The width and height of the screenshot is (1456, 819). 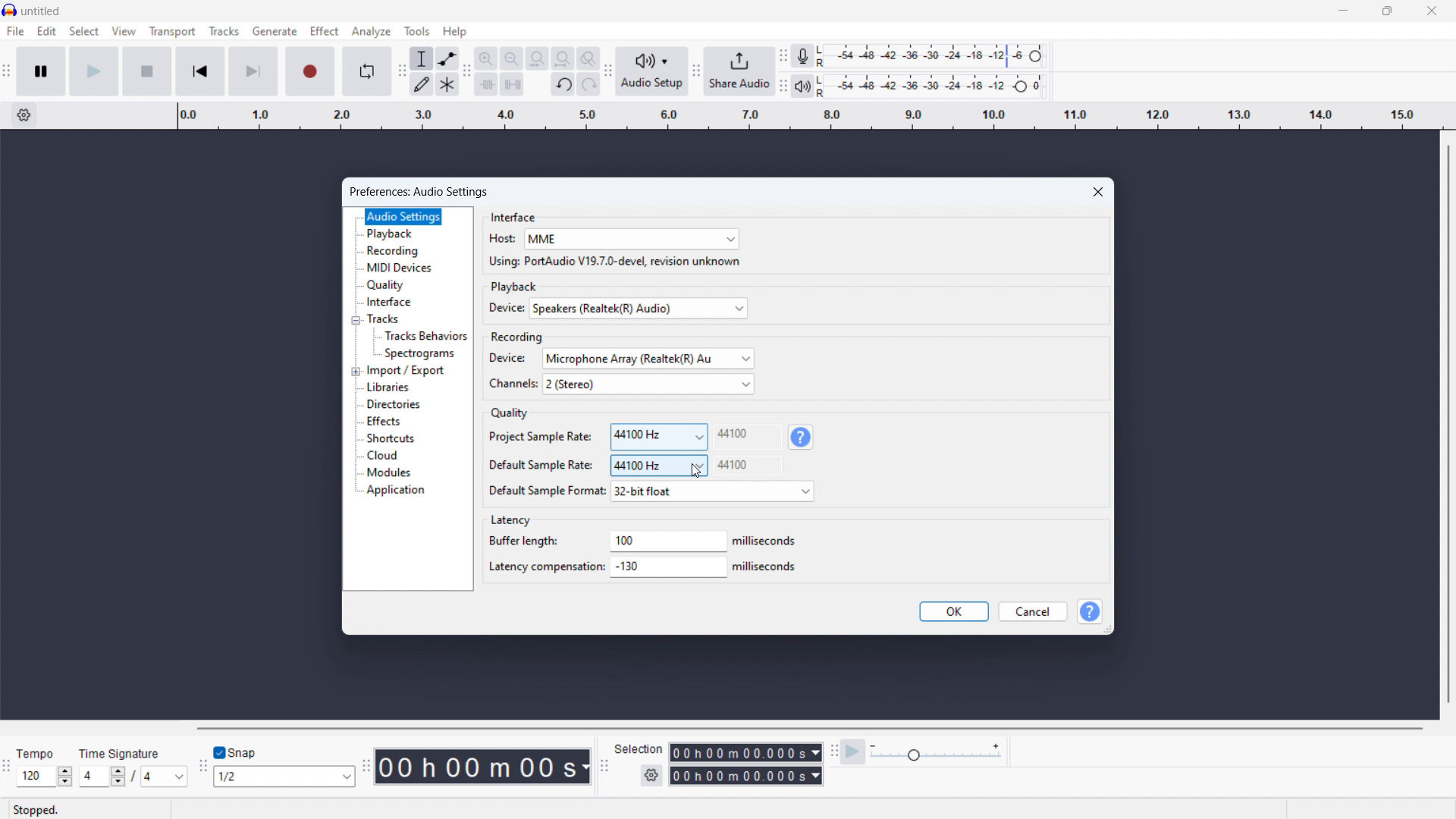 I want to click on start time, so click(x=745, y=752).